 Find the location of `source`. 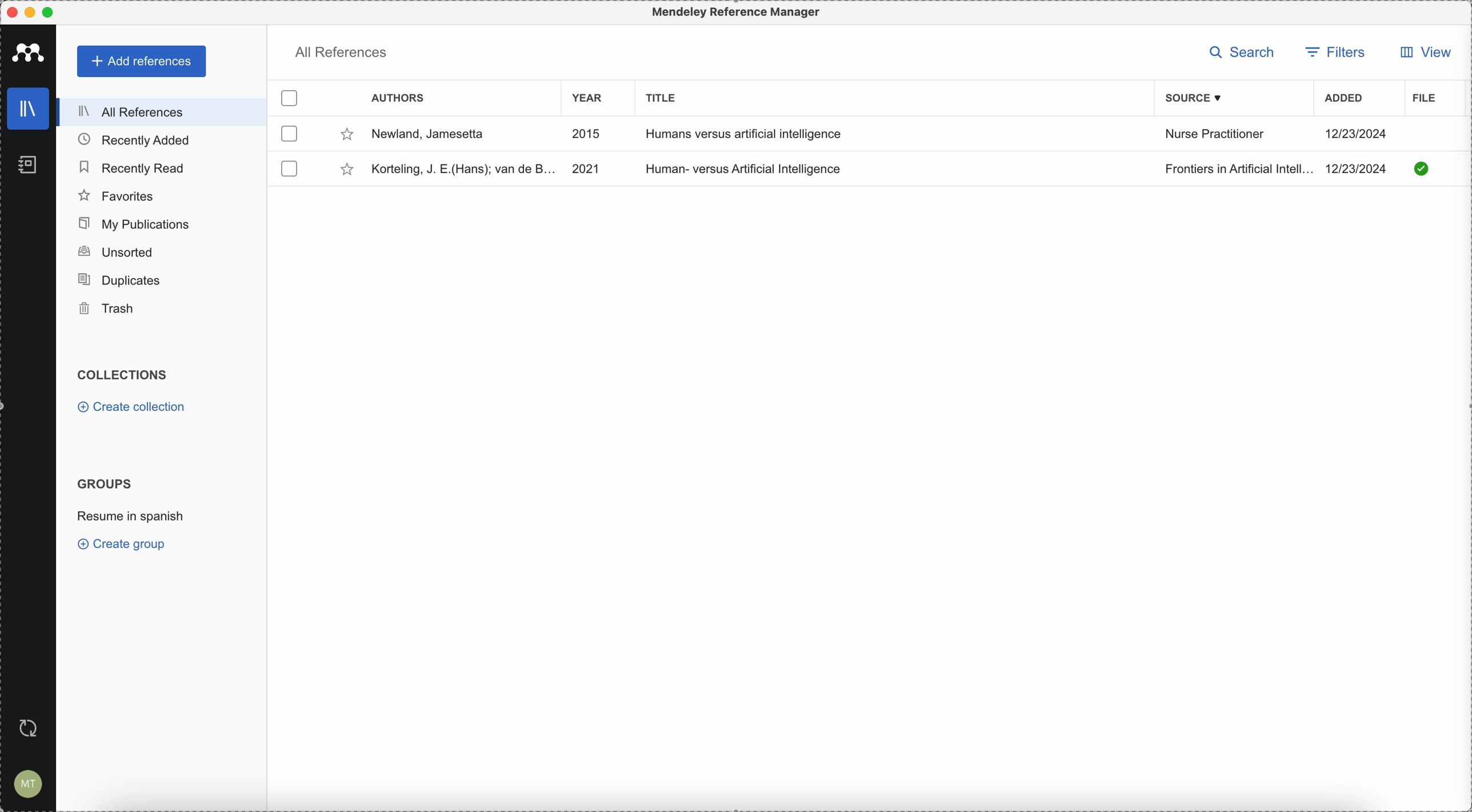

source is located at coordinates (1195, 98).